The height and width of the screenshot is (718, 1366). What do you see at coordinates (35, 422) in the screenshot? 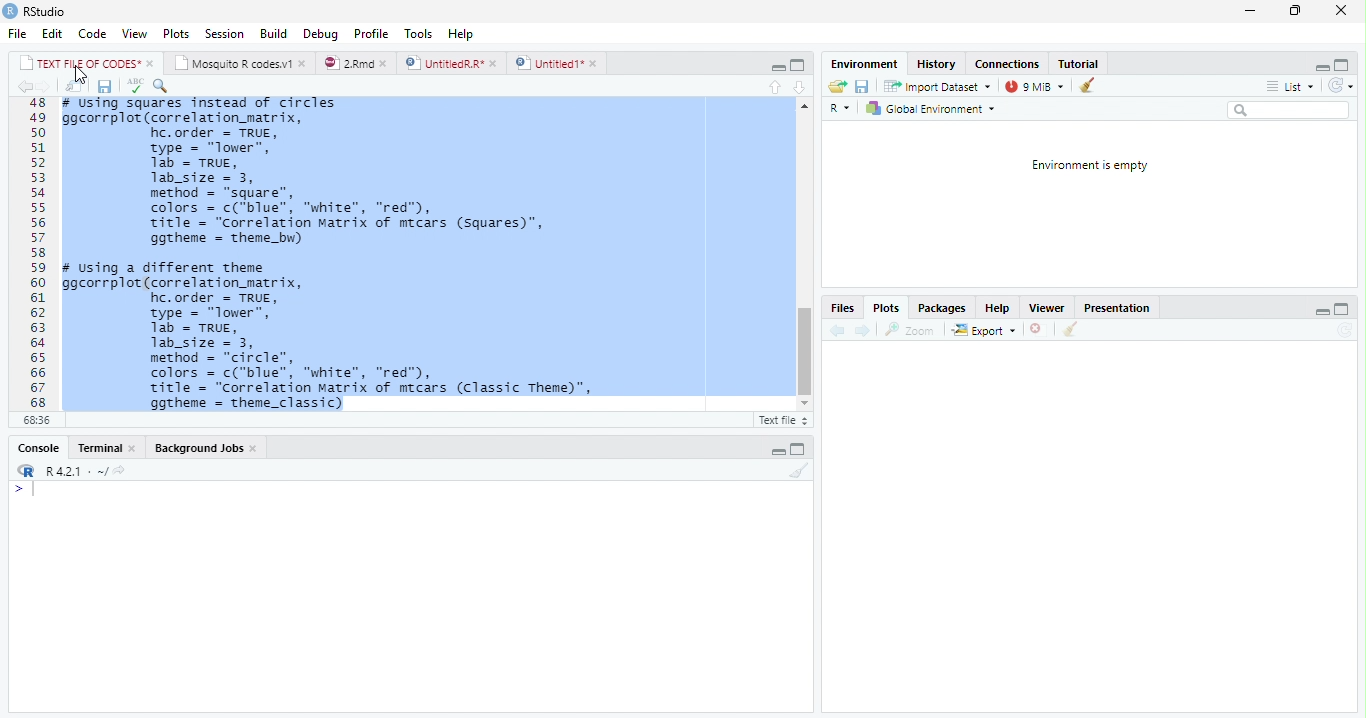
I see `68:36` at bounding box center [35, 422].